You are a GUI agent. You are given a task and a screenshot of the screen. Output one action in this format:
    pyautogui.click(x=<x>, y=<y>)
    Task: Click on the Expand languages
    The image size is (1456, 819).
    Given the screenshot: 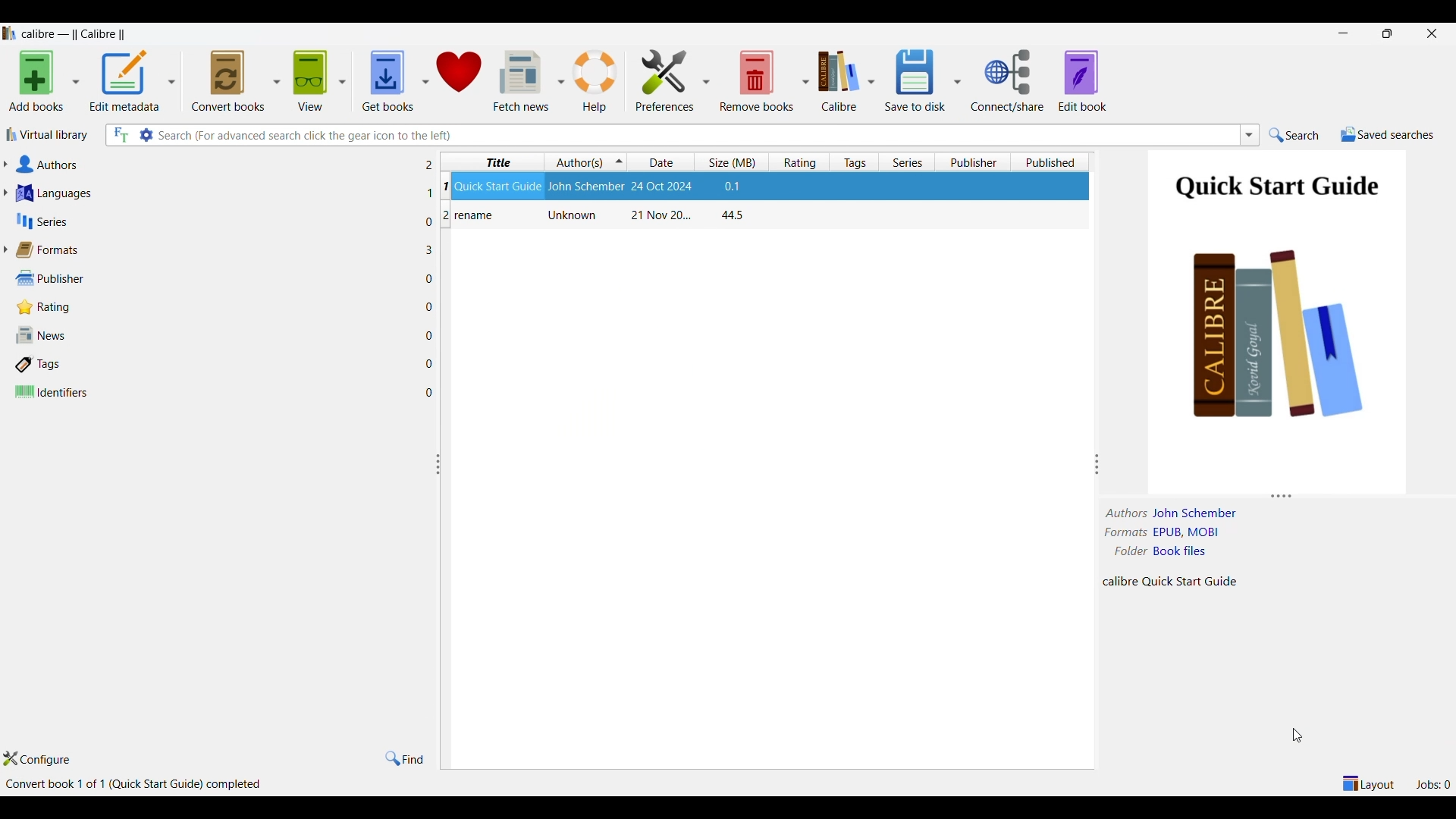 What is the action you would take?
    pyautogui.click(x=5, y=193)
    